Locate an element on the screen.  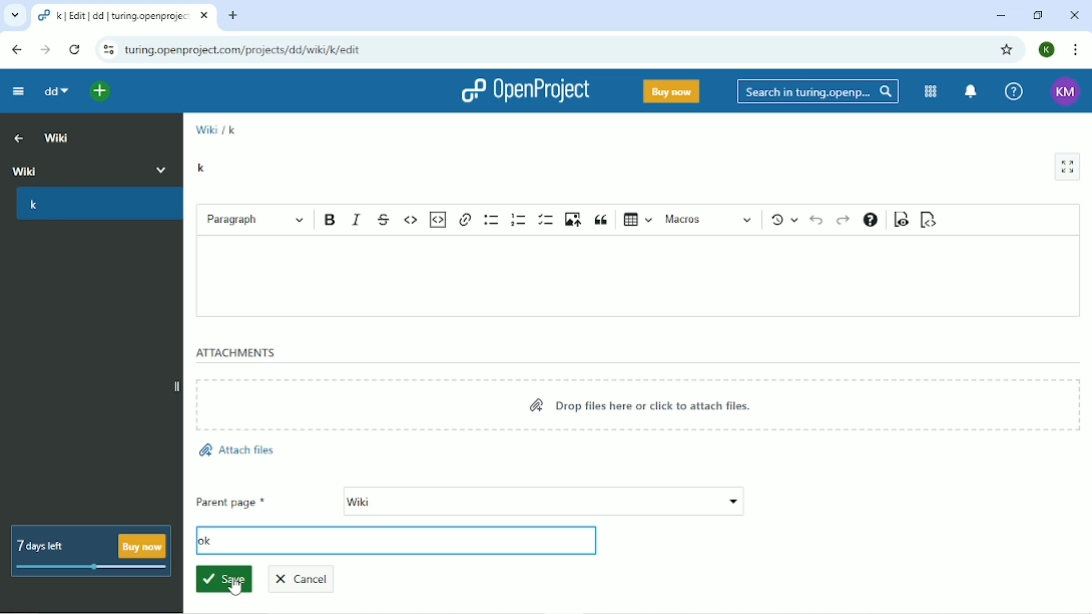
Cursor is located at coordinates (235, 585).